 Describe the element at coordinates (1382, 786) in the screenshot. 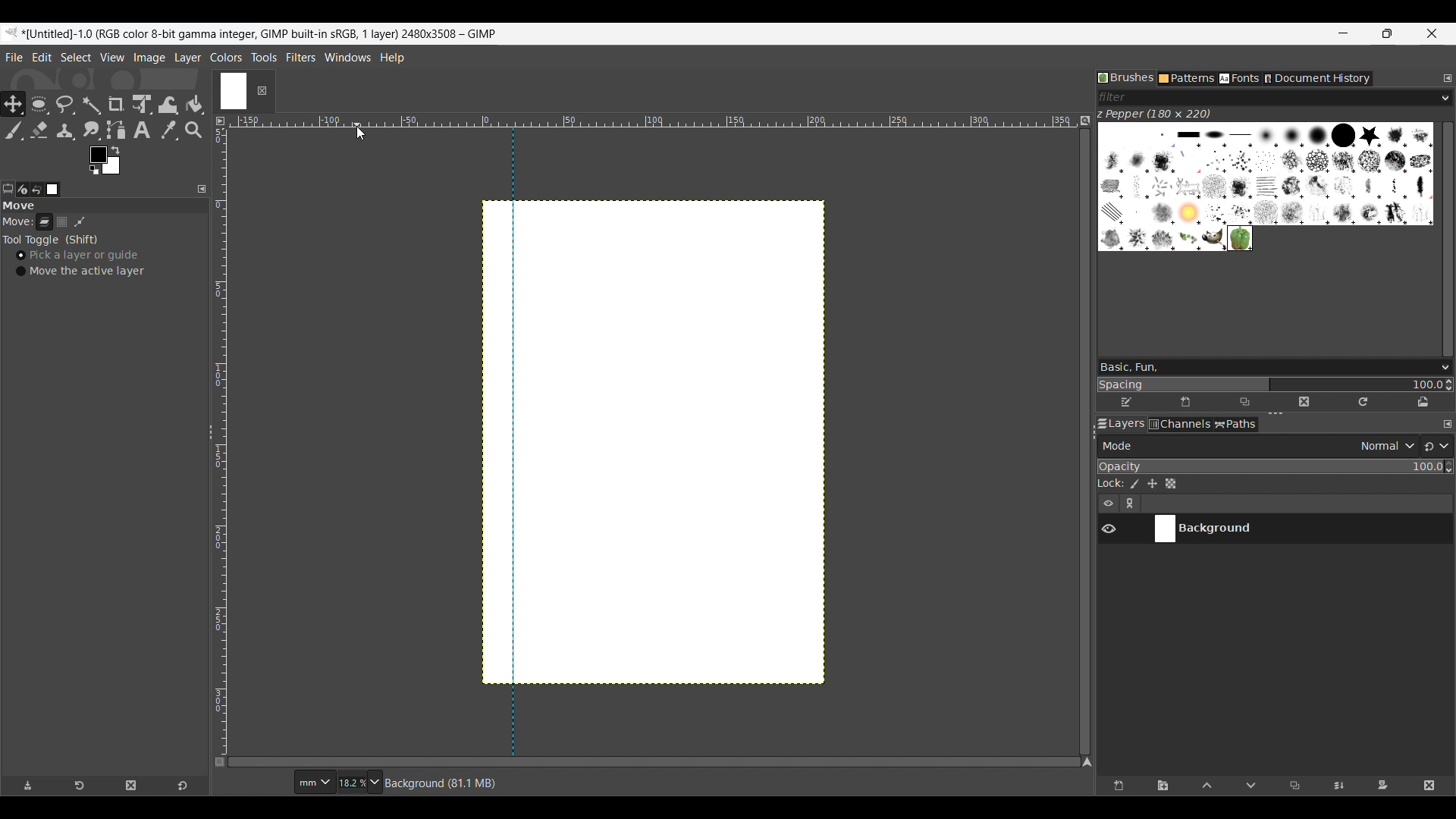

I see `Add mask that allows non-destructive editing of transparency` at that location.